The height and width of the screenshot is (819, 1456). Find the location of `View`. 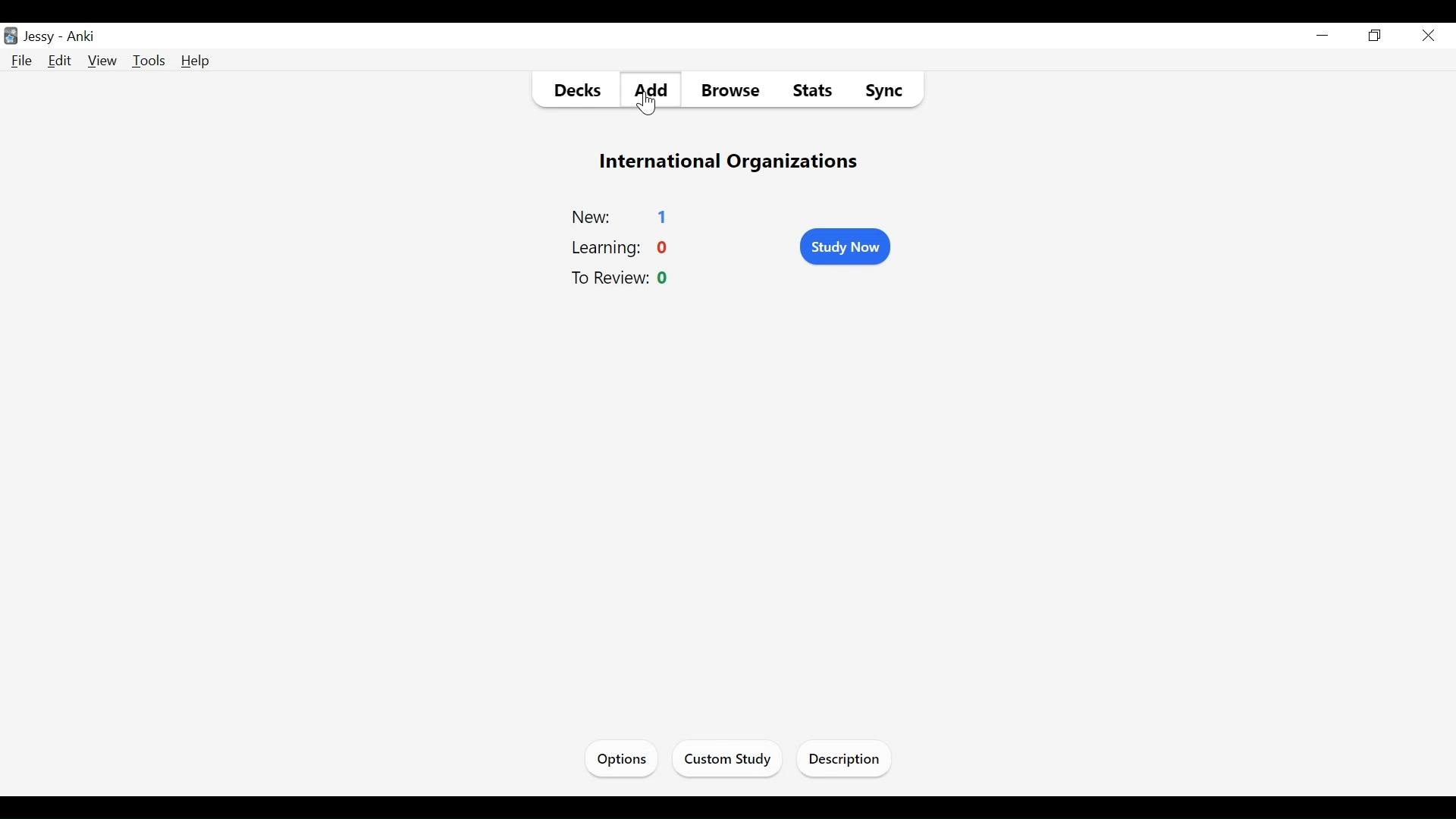

View is located at coordinates (102, 60).